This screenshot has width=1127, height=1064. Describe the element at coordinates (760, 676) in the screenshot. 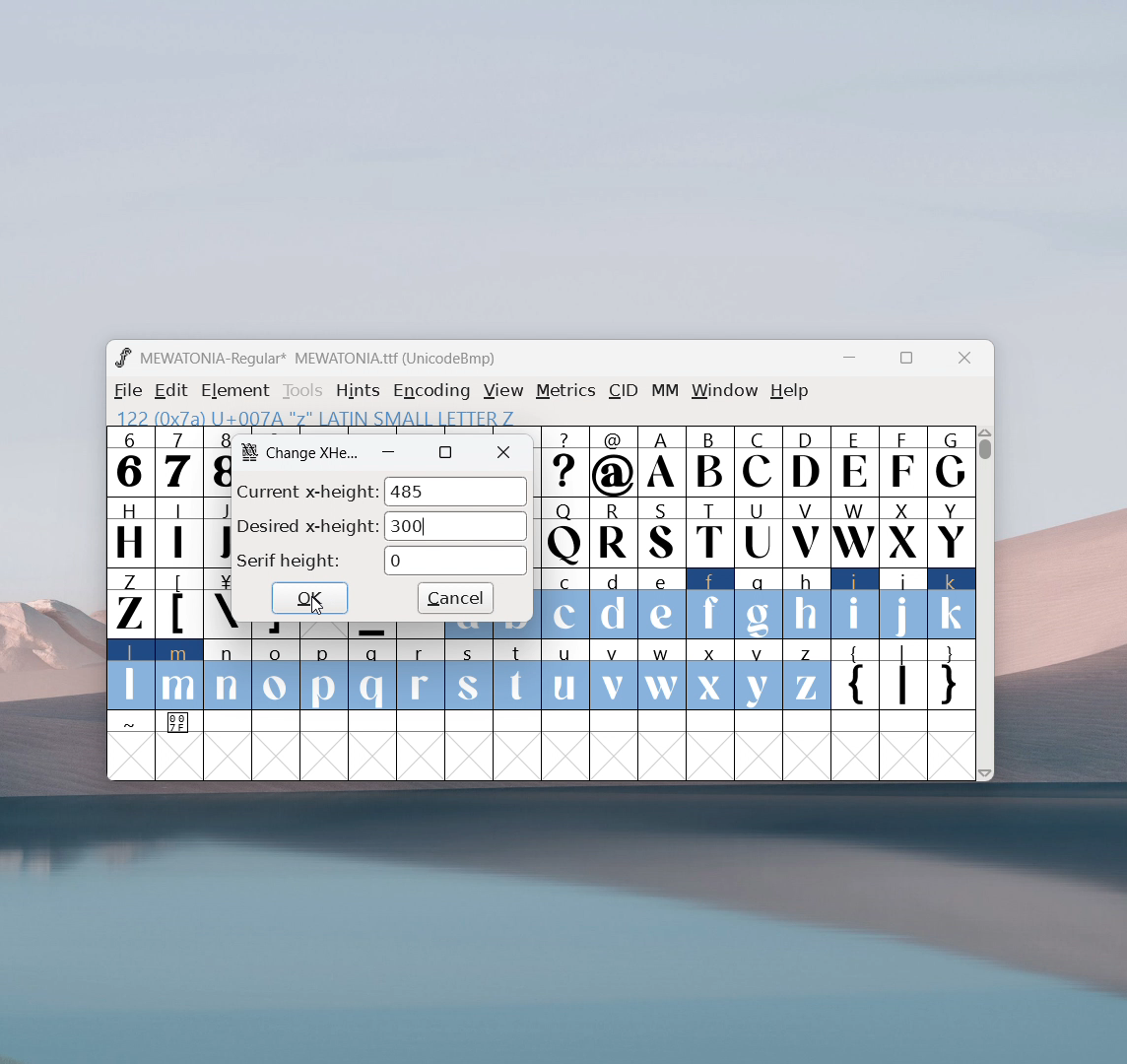

I see `y` at that location.